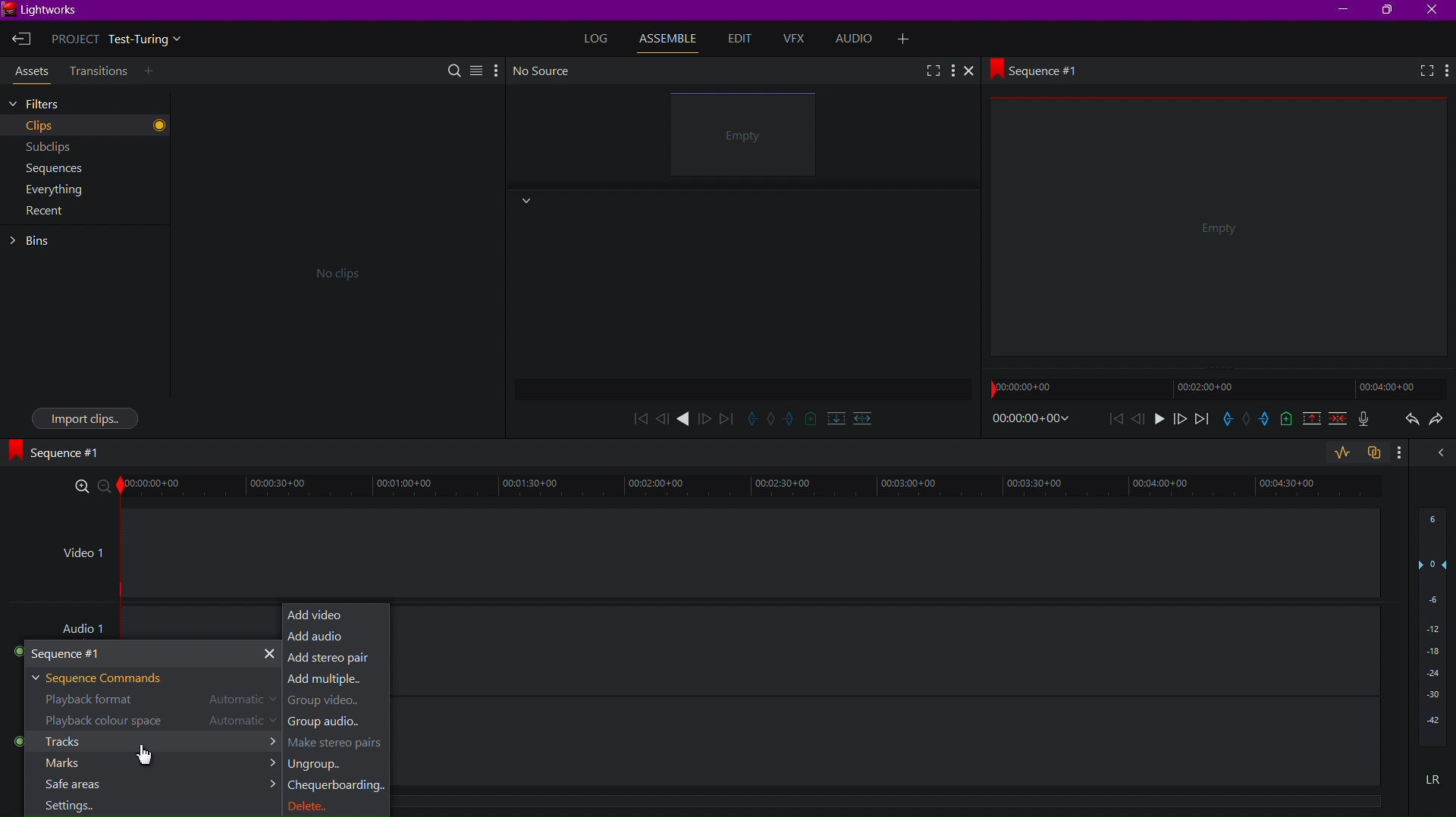 Image resolution: width=1456 pixels, height=817 pixels. I want to click on up, so click(1309, 421).